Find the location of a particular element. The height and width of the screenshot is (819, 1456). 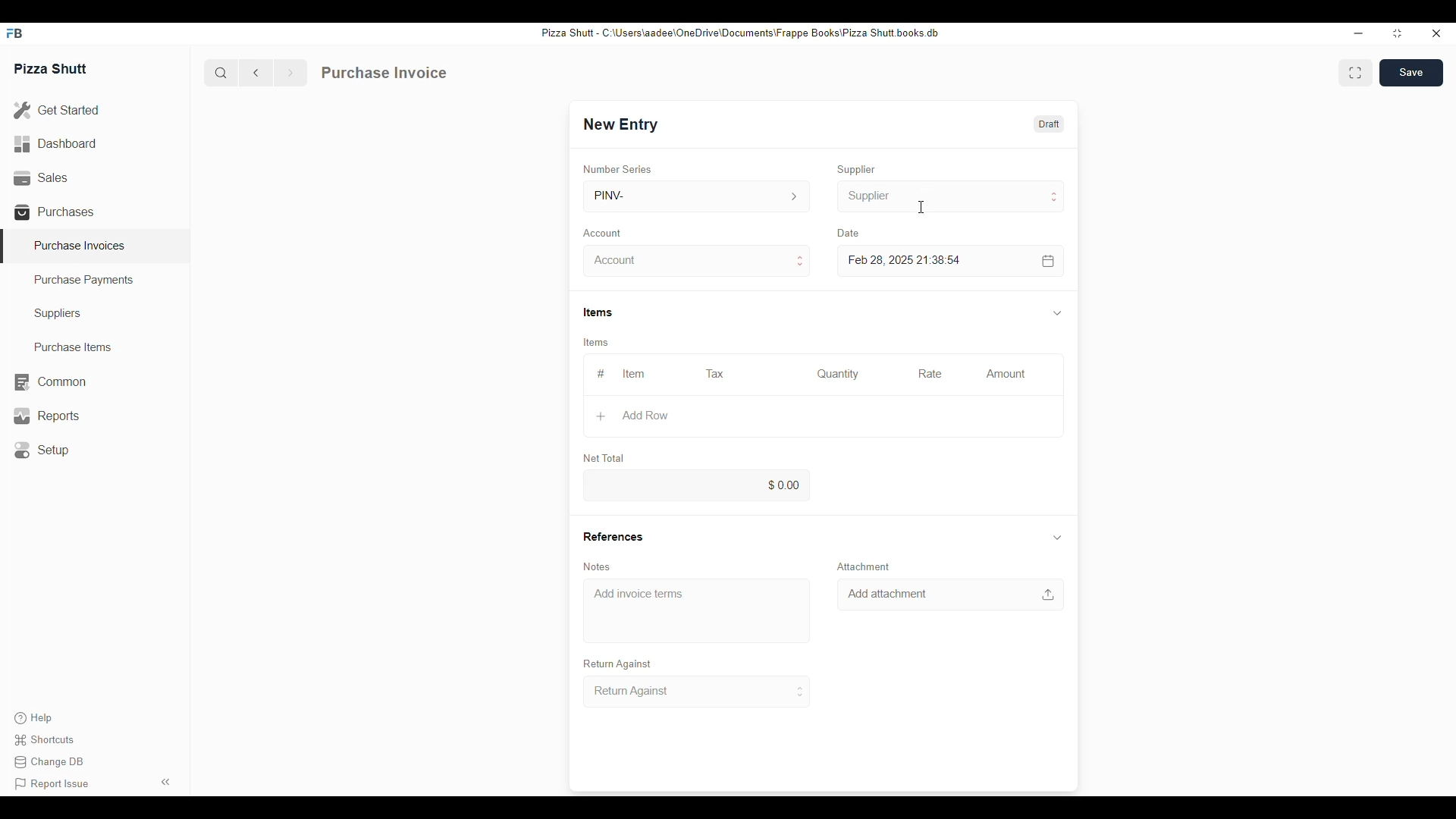

Pizza Shut - C:\Users\aadee\OneDrive\Documents\Frappe Books\Pizza Shutt books. db is located at coordinates (739, 32).